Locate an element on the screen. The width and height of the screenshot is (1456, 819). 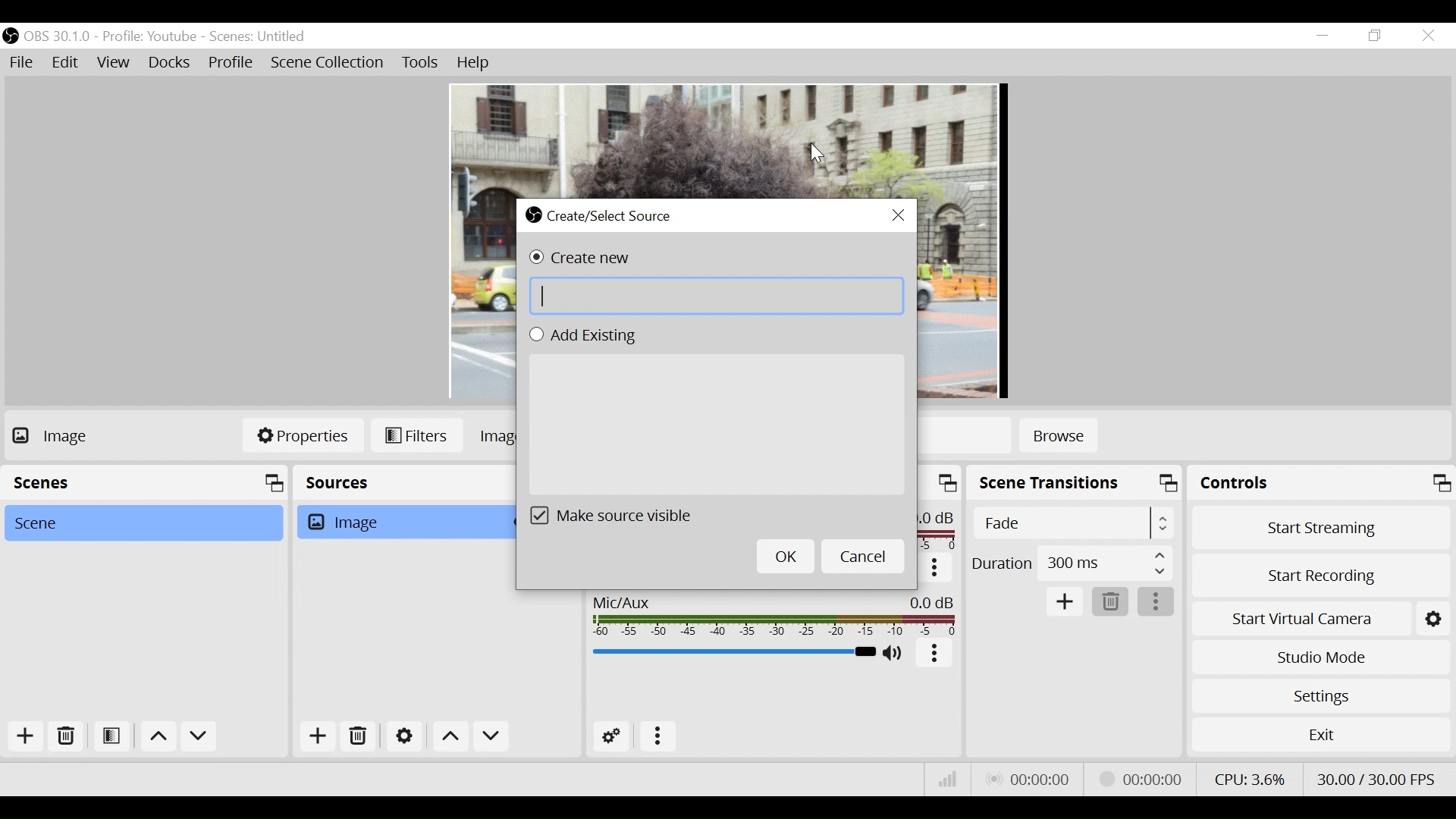
OK is located at coordinates (786, 556).